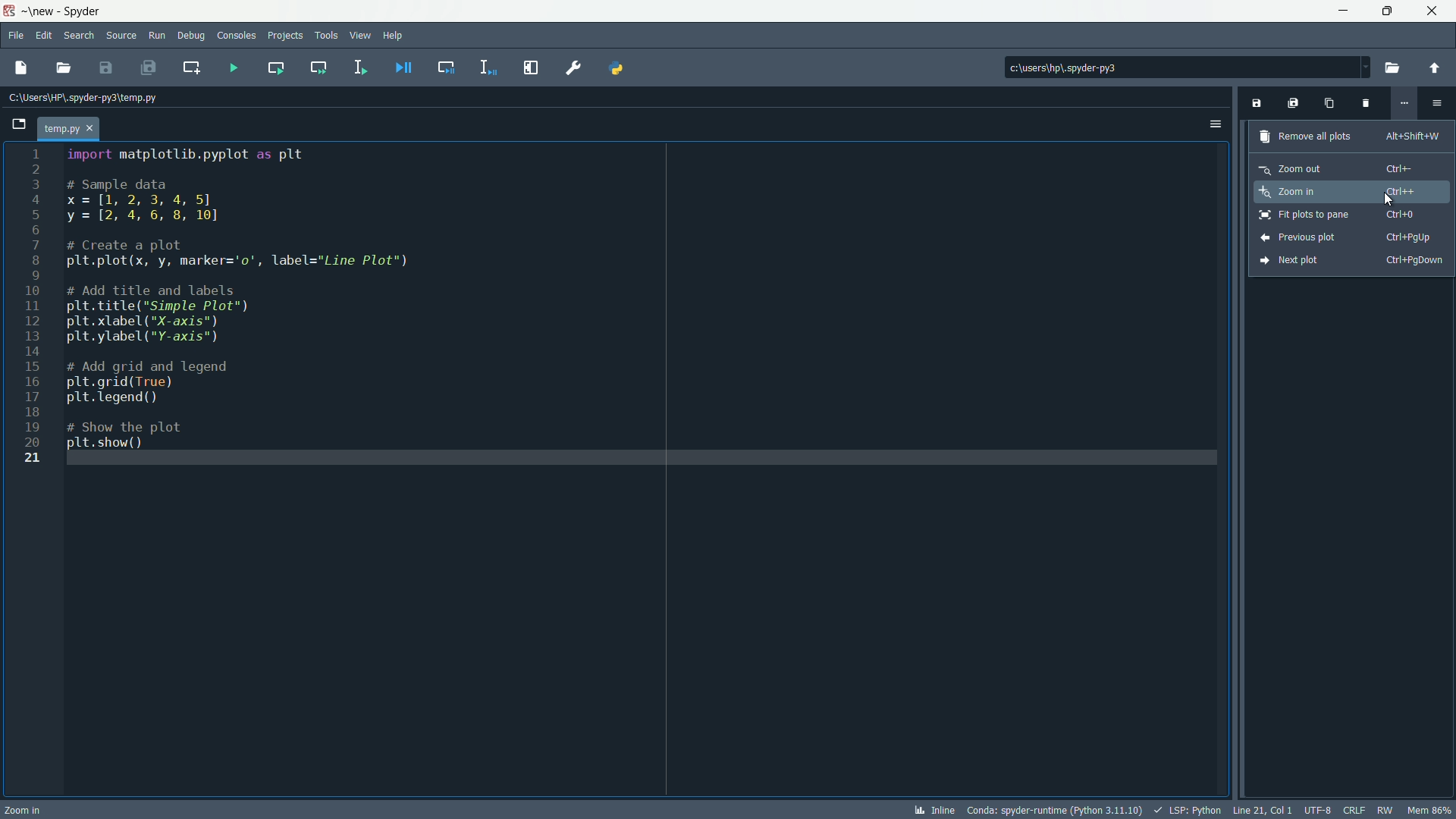 This screenshot has height=819, width=1456. What do you see at coordinates (32, 308) in the screenshot?
I see `line number` at bounding box center [32, 308].